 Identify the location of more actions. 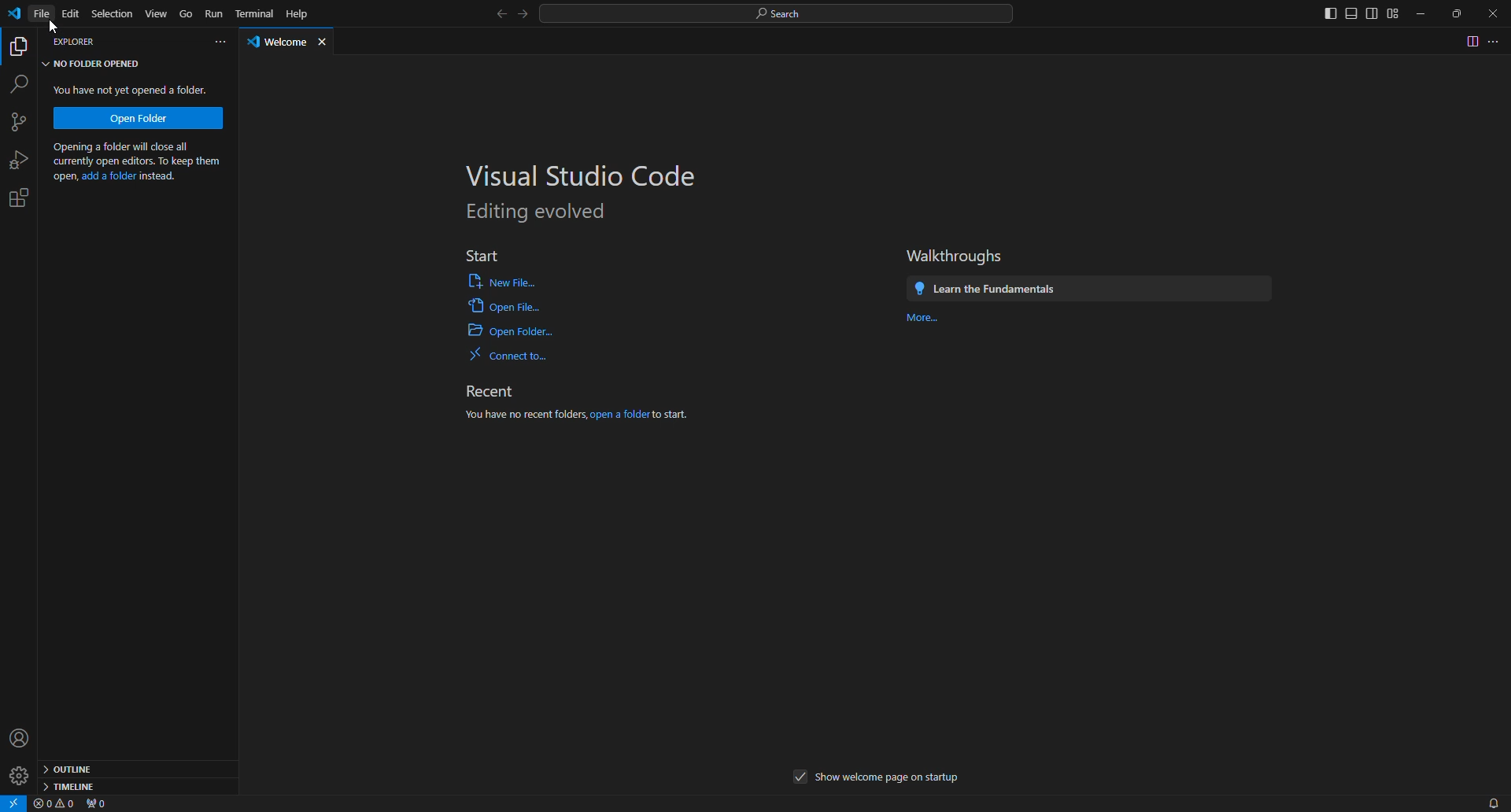
(1497, 41).